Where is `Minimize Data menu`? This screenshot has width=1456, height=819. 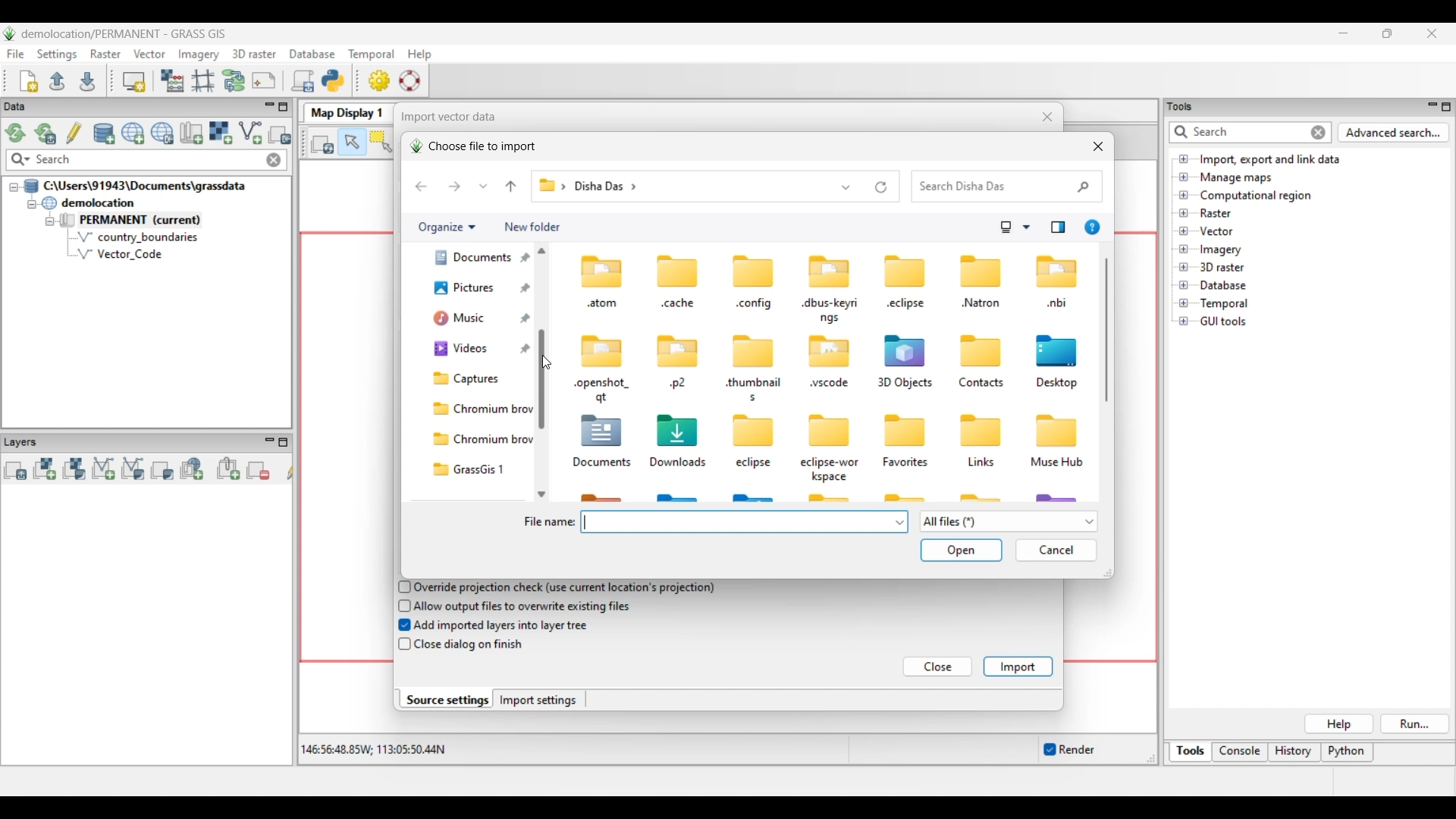 Minimize Data menu is located at coordinates (269, 108).